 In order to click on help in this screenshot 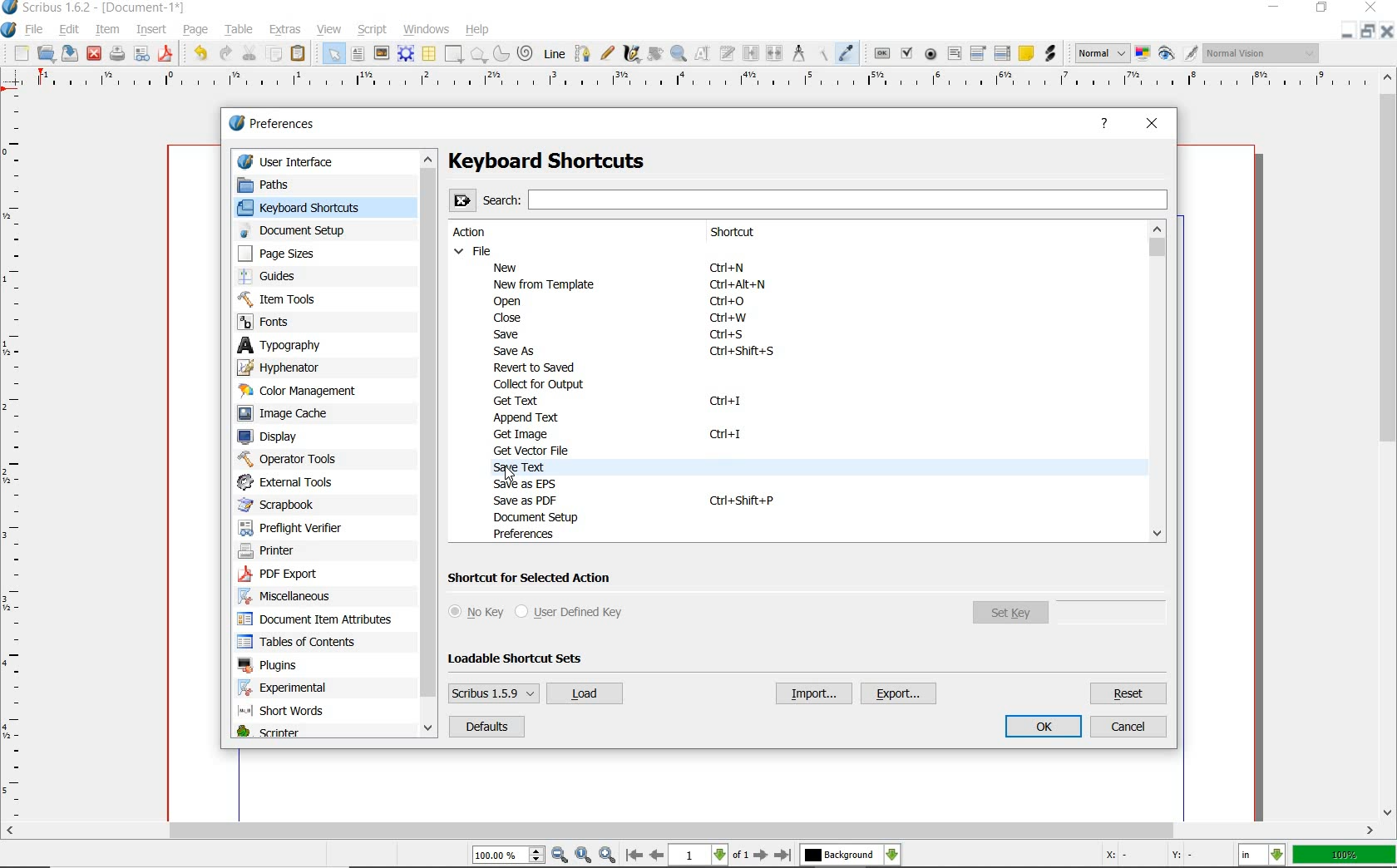, I will do `click(478, 31)`.